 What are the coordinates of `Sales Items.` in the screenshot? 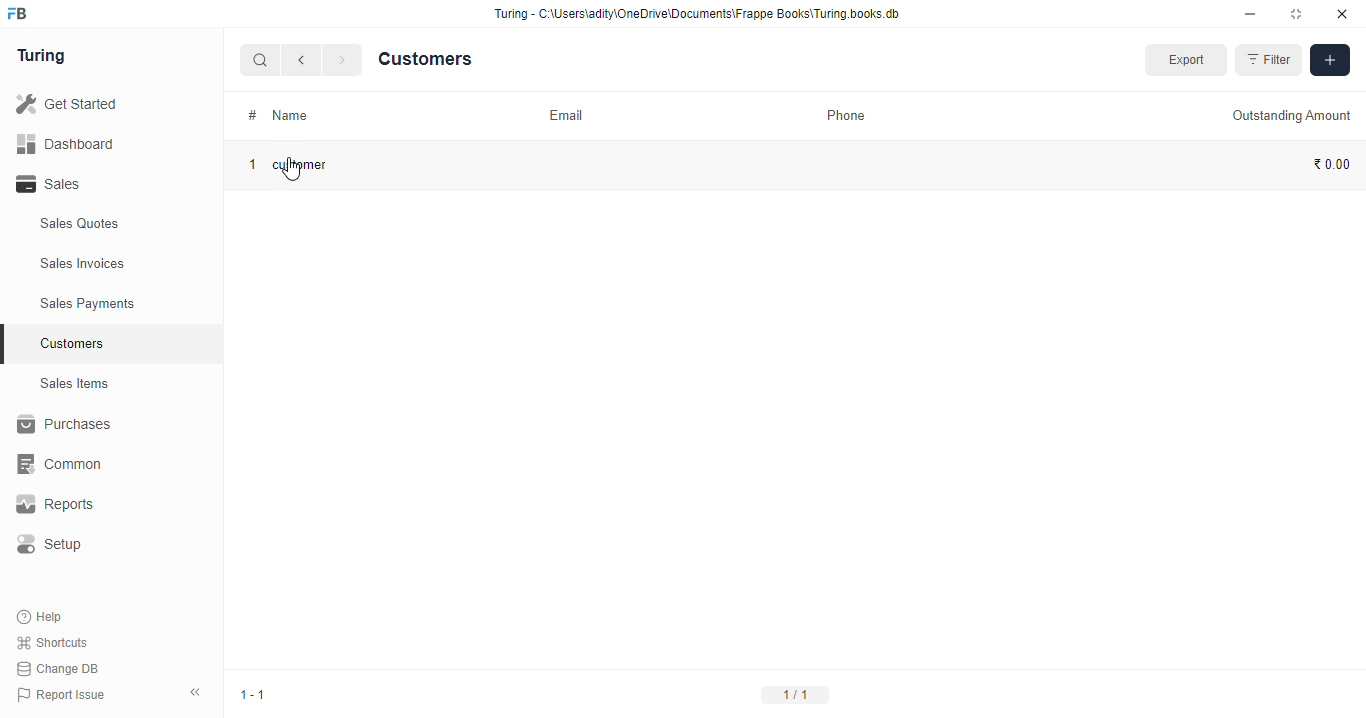 It's located at (111, 384).